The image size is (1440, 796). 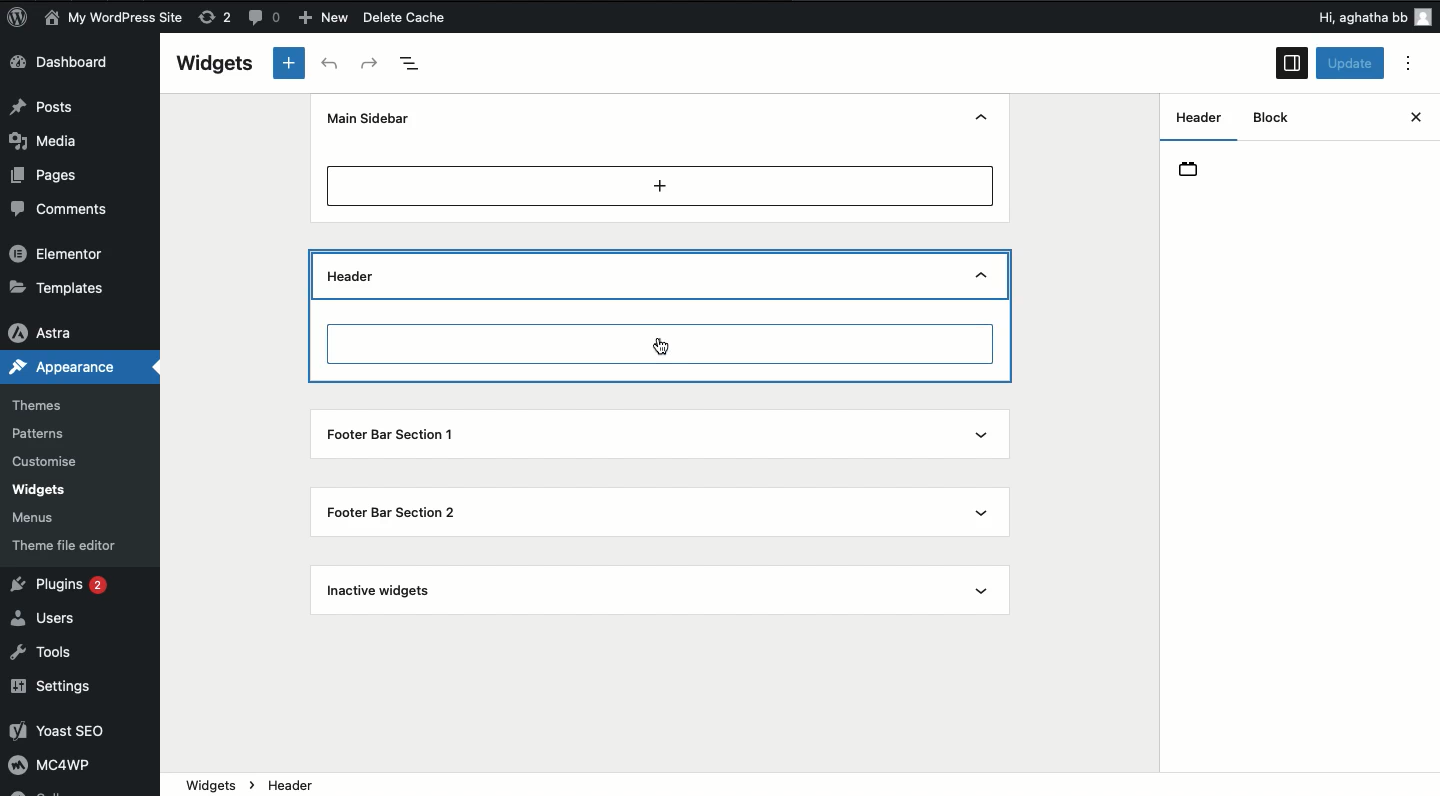 I want to click on Show, so click(x=987, y=436).